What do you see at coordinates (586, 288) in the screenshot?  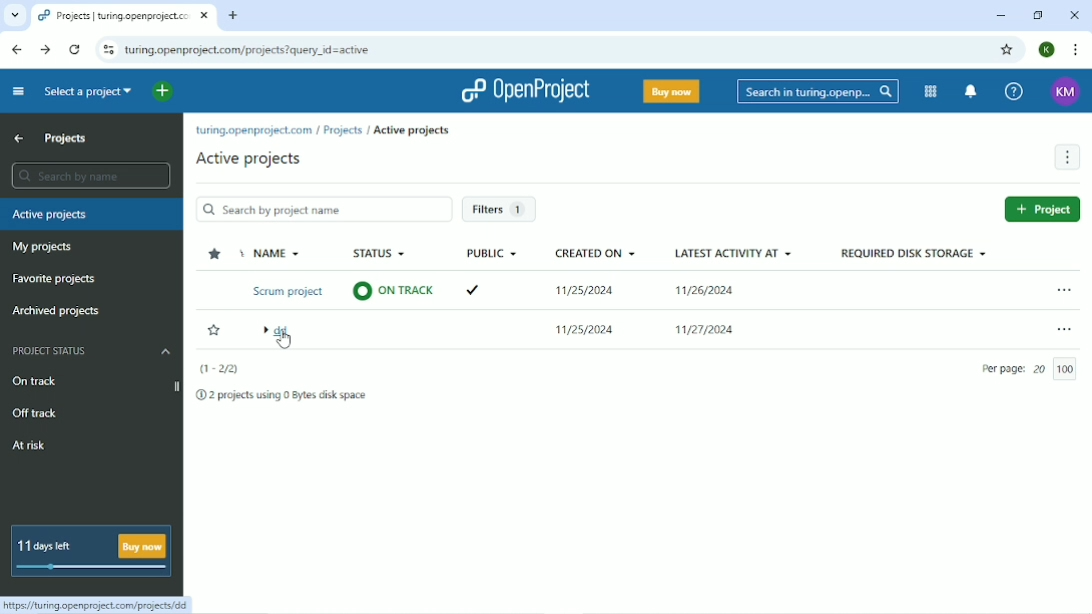 I see `11/25/2024` at bounding box center [586, 288].